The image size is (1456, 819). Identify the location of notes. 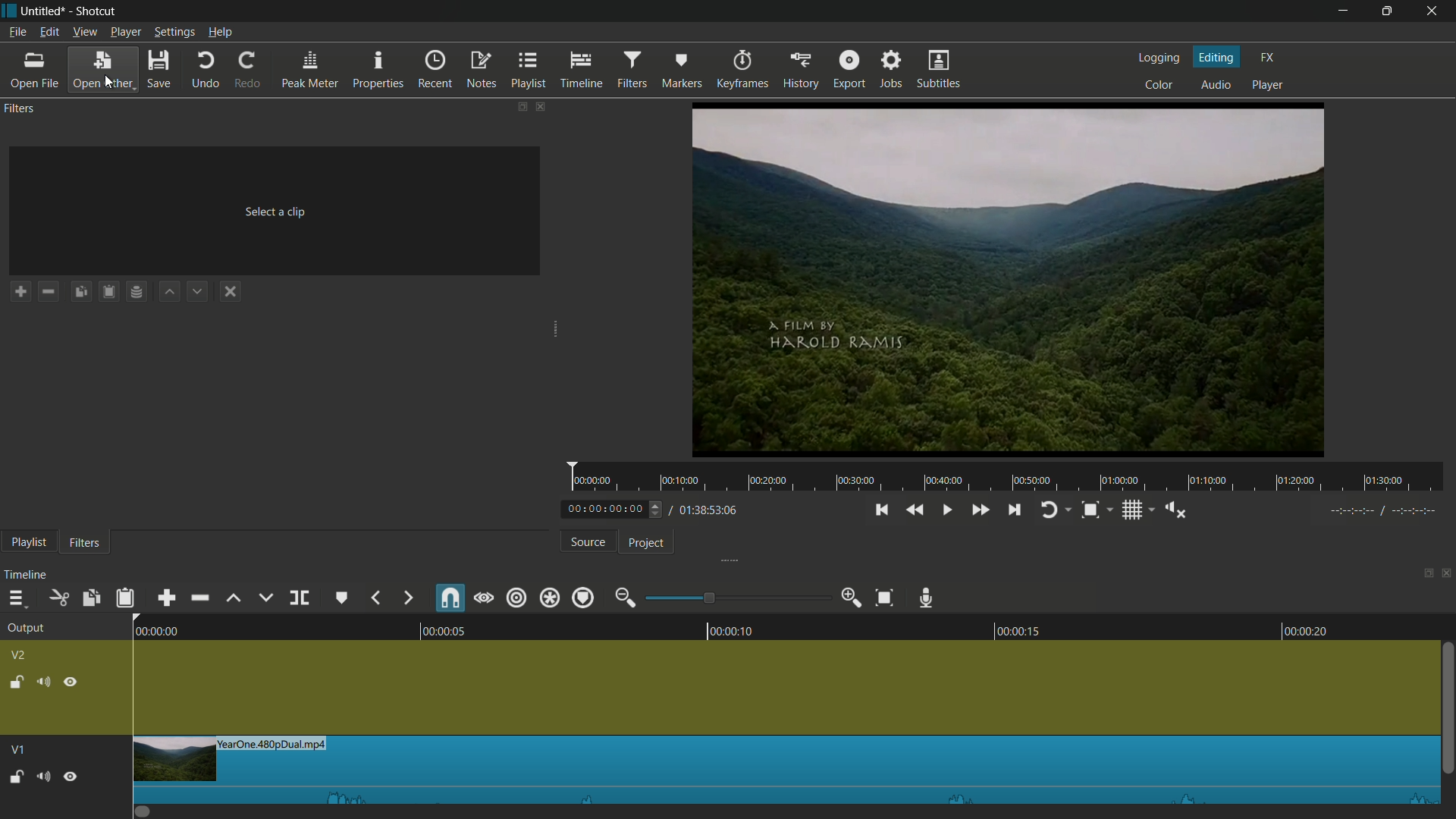
(483, 69).